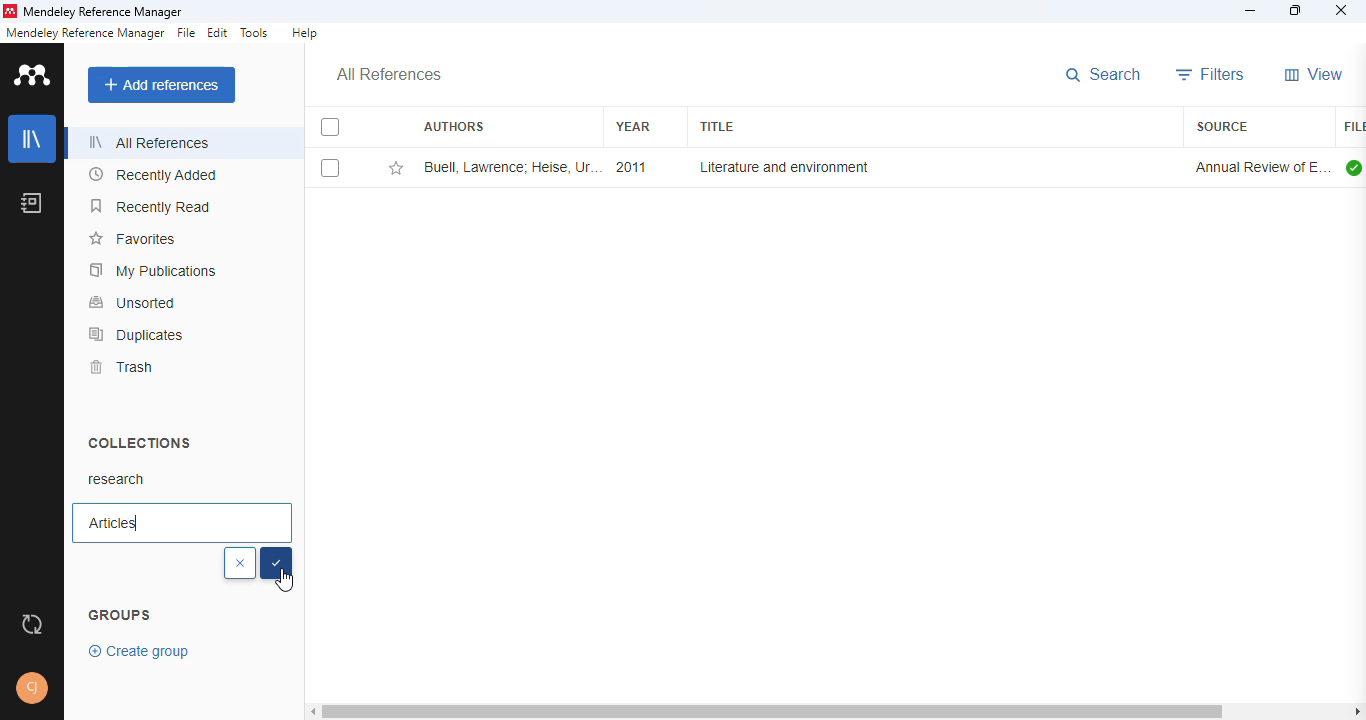  What do you see at coordinates (305, 32) in the screenshot?
I see `help` at bounding box center [305, 32].